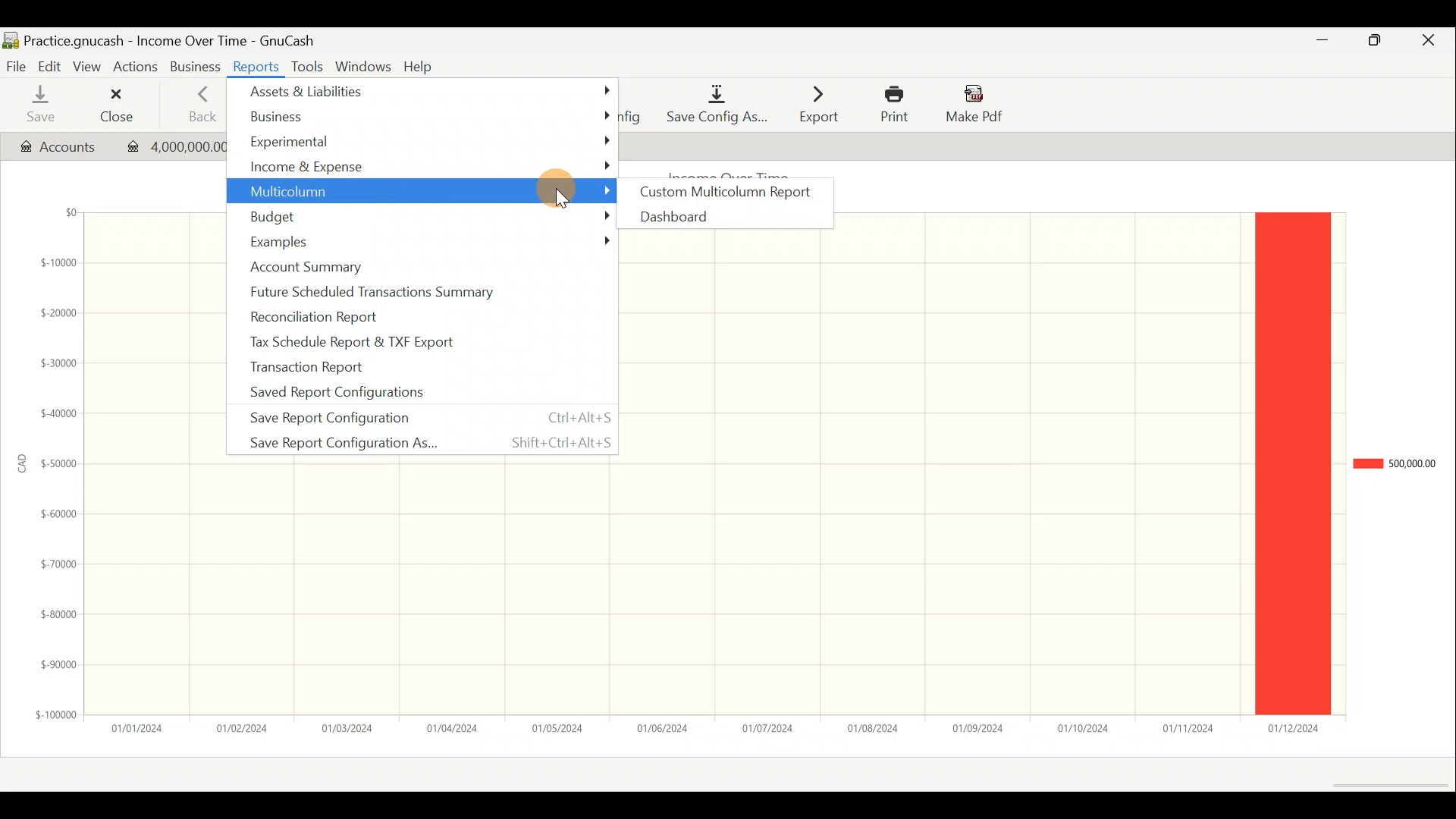 The height and width of the screenshot is (819, 1456). I want to click on Dashboard, so click(725, 218).